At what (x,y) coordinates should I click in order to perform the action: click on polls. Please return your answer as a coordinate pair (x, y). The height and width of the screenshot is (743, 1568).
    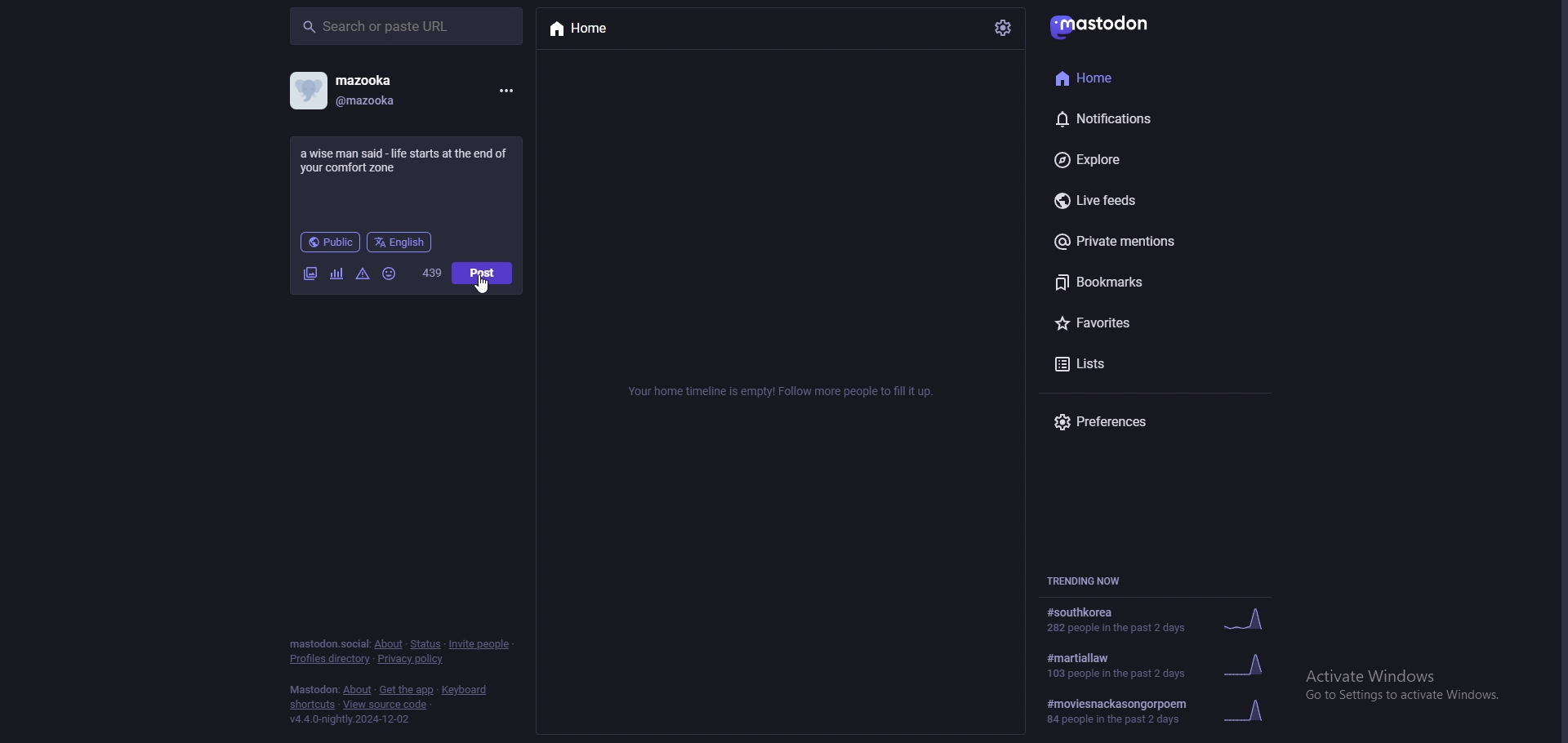
    Looking at the image, I should click on (336, 274).